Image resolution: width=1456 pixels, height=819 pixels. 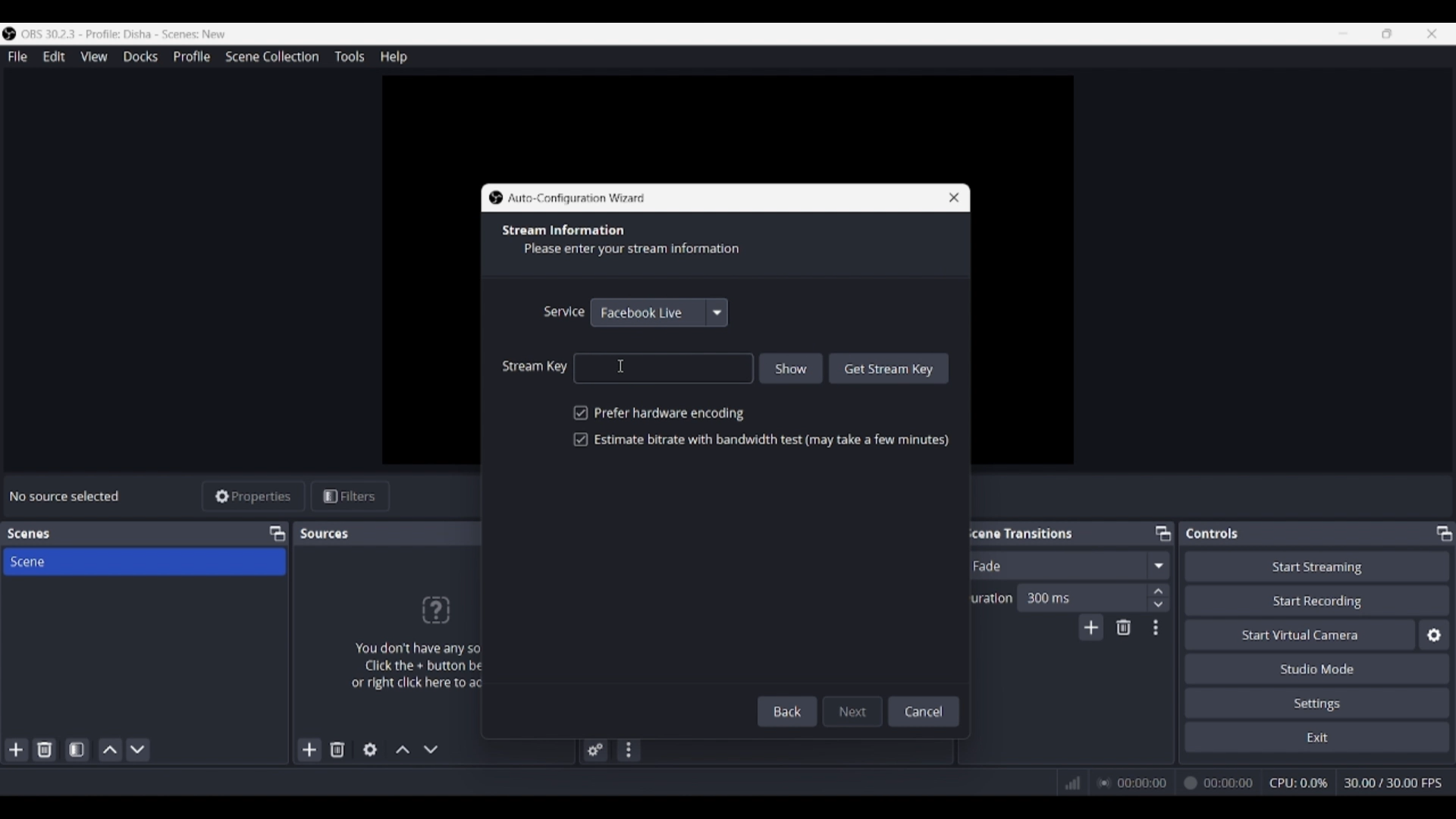 What do you see at coordinates (140, 57) in the screenshot?
I see `Docks menu` at bounding box center [140, 57].